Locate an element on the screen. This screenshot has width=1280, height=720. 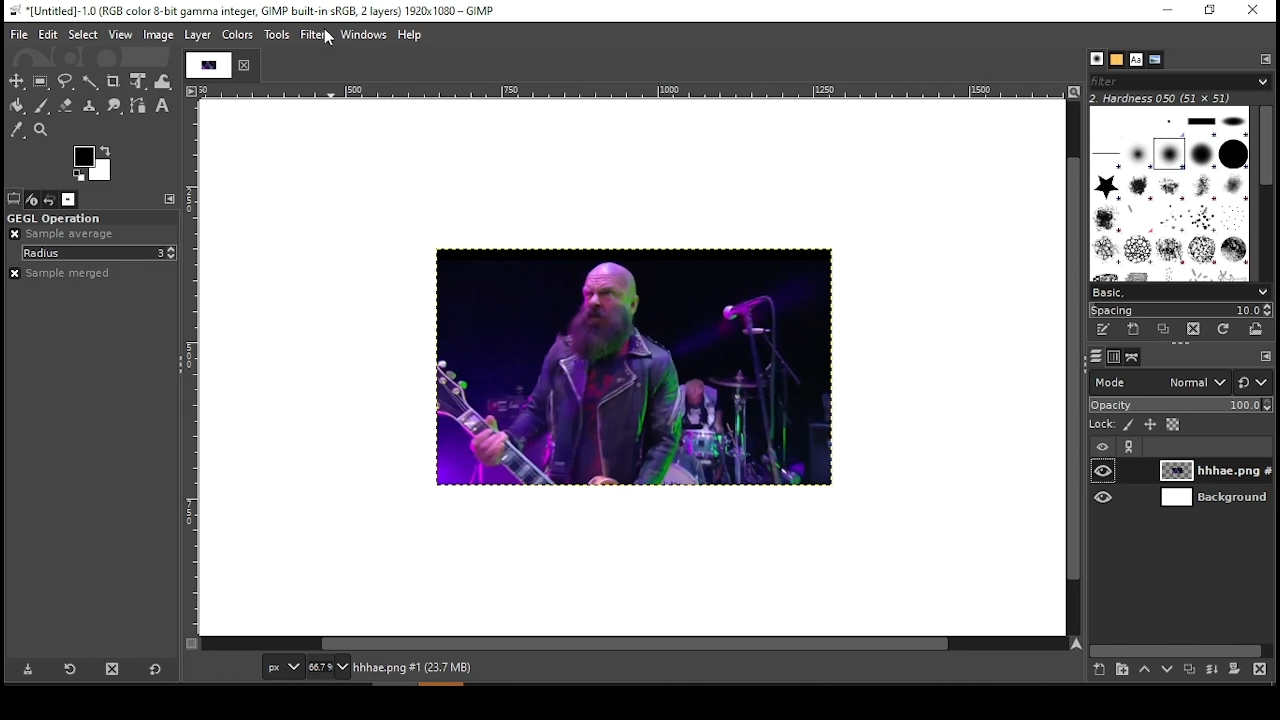
configure this tab is located at coordinates (1264, 356).